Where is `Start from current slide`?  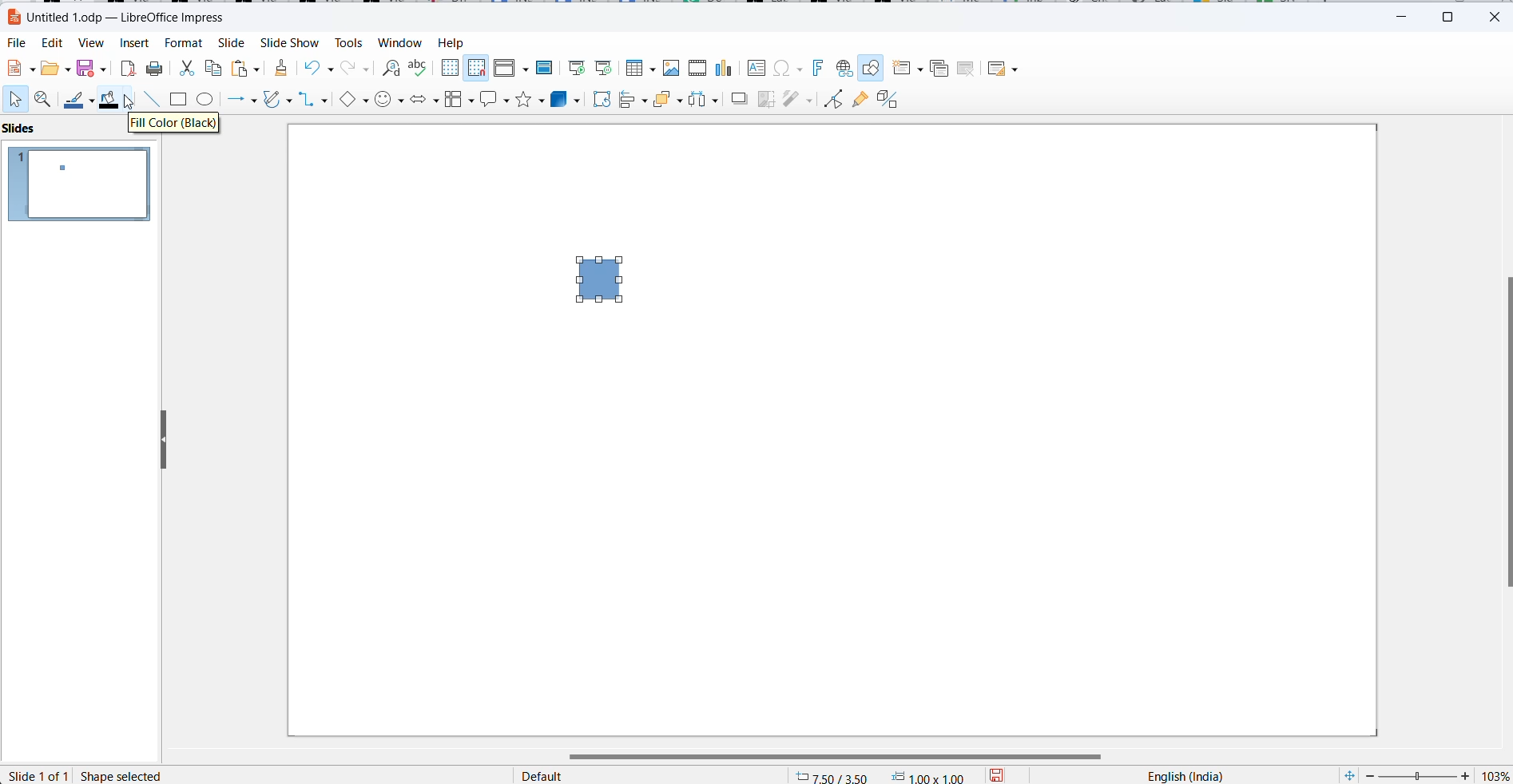
Start from current slide is located at coordinates (604, 68).